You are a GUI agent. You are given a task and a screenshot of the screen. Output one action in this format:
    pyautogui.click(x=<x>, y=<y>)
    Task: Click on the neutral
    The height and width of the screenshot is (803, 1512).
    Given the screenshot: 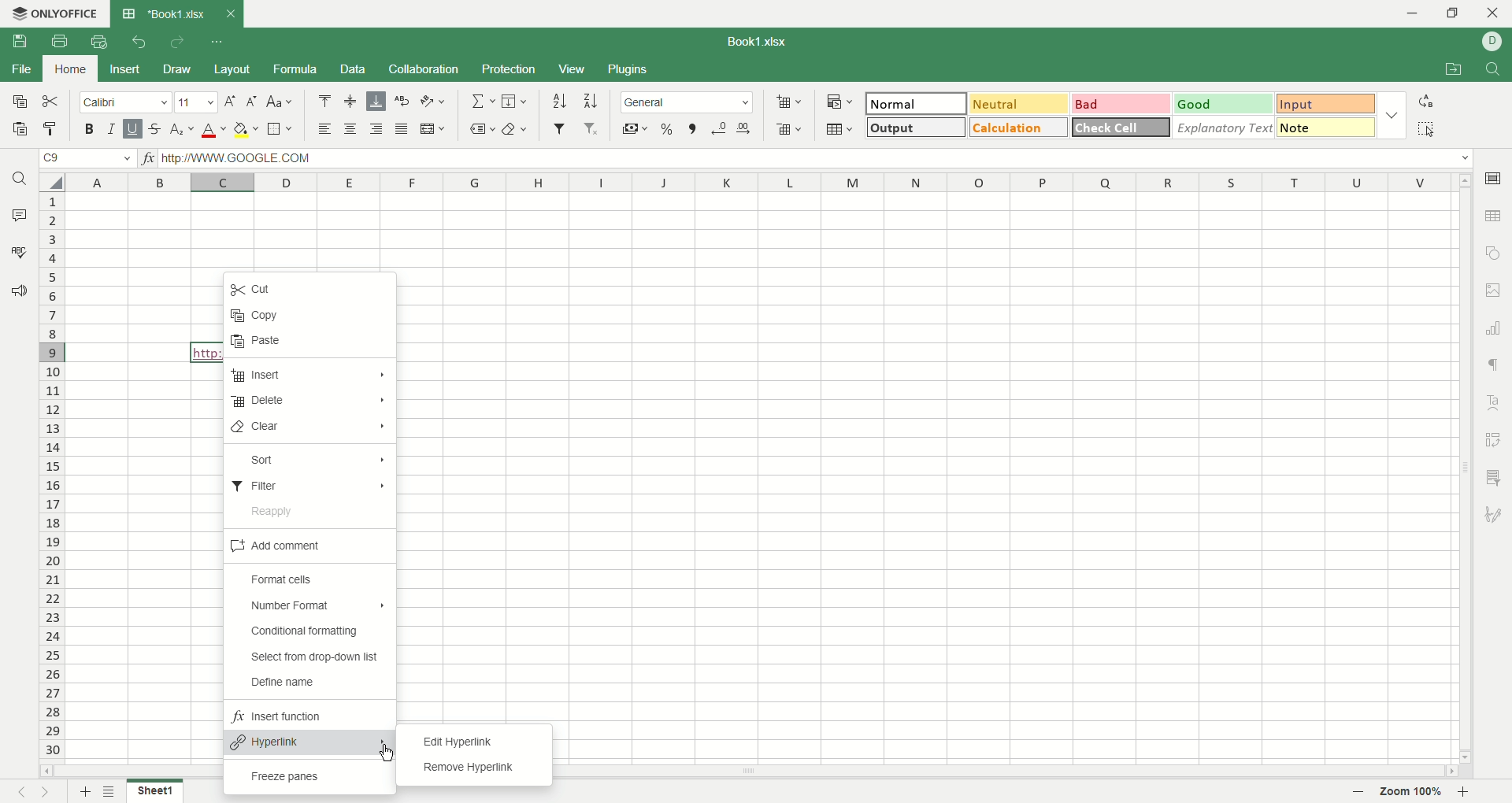 What is the action you would take?
    pyautogui.click(x=1017, y=103)
    